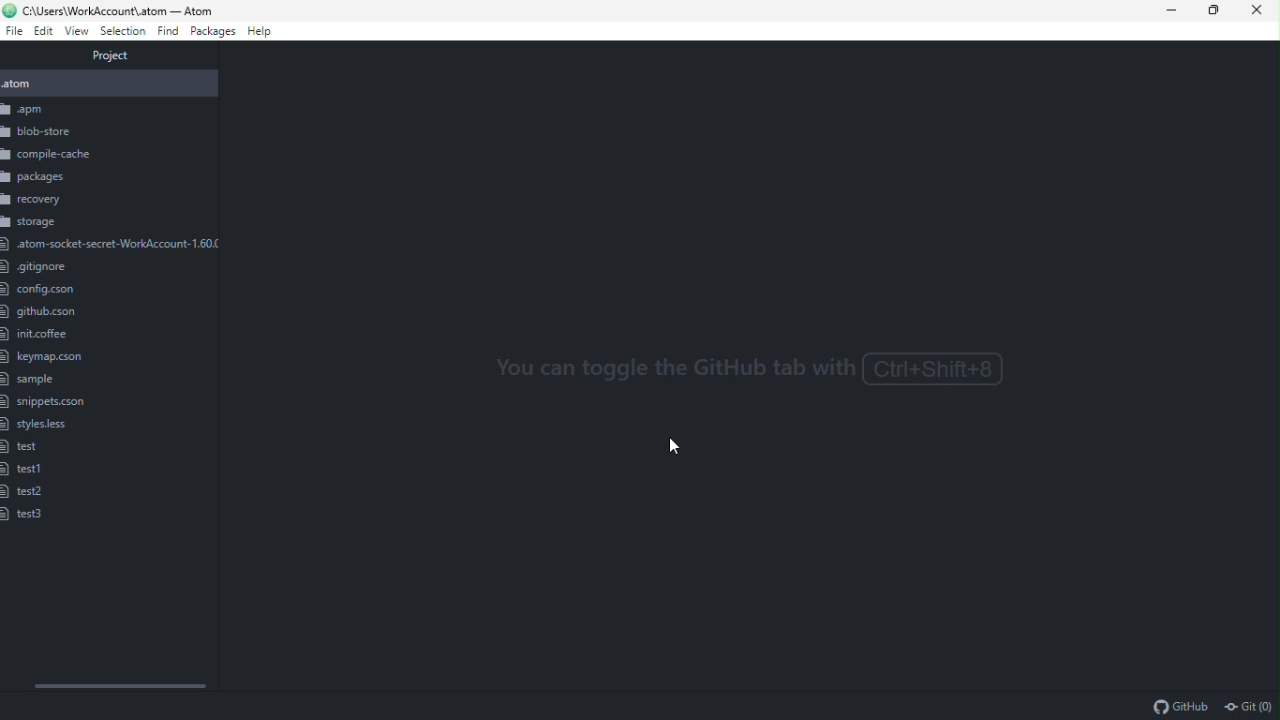 This screenshot has height=720, width=1280. I want to click on keymap.cson, so click(46, 357).